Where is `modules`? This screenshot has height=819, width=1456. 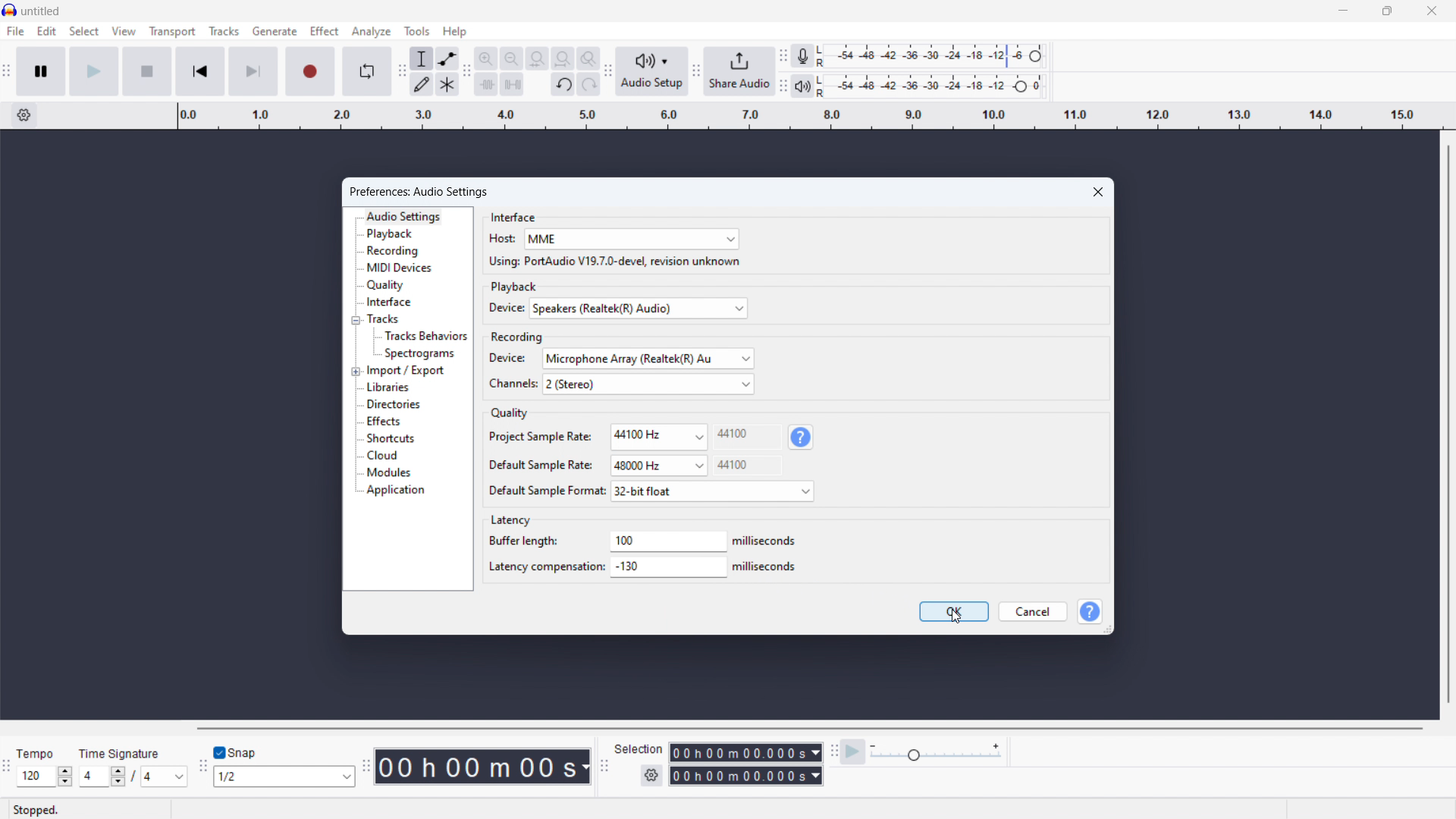
modules is located at coordinates (389, 473).